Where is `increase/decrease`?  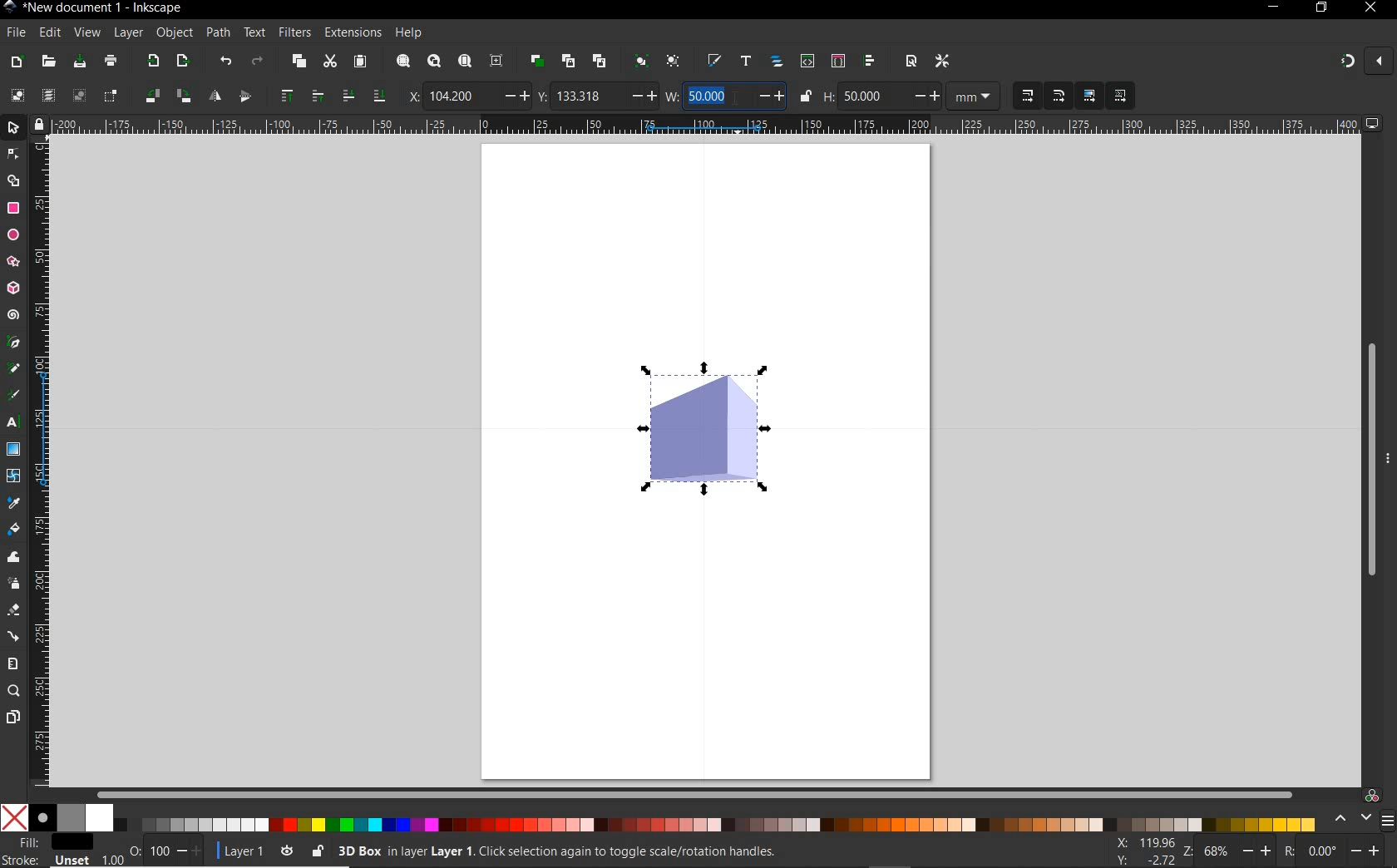 increase/decrease is located at coordinates (190, 851).